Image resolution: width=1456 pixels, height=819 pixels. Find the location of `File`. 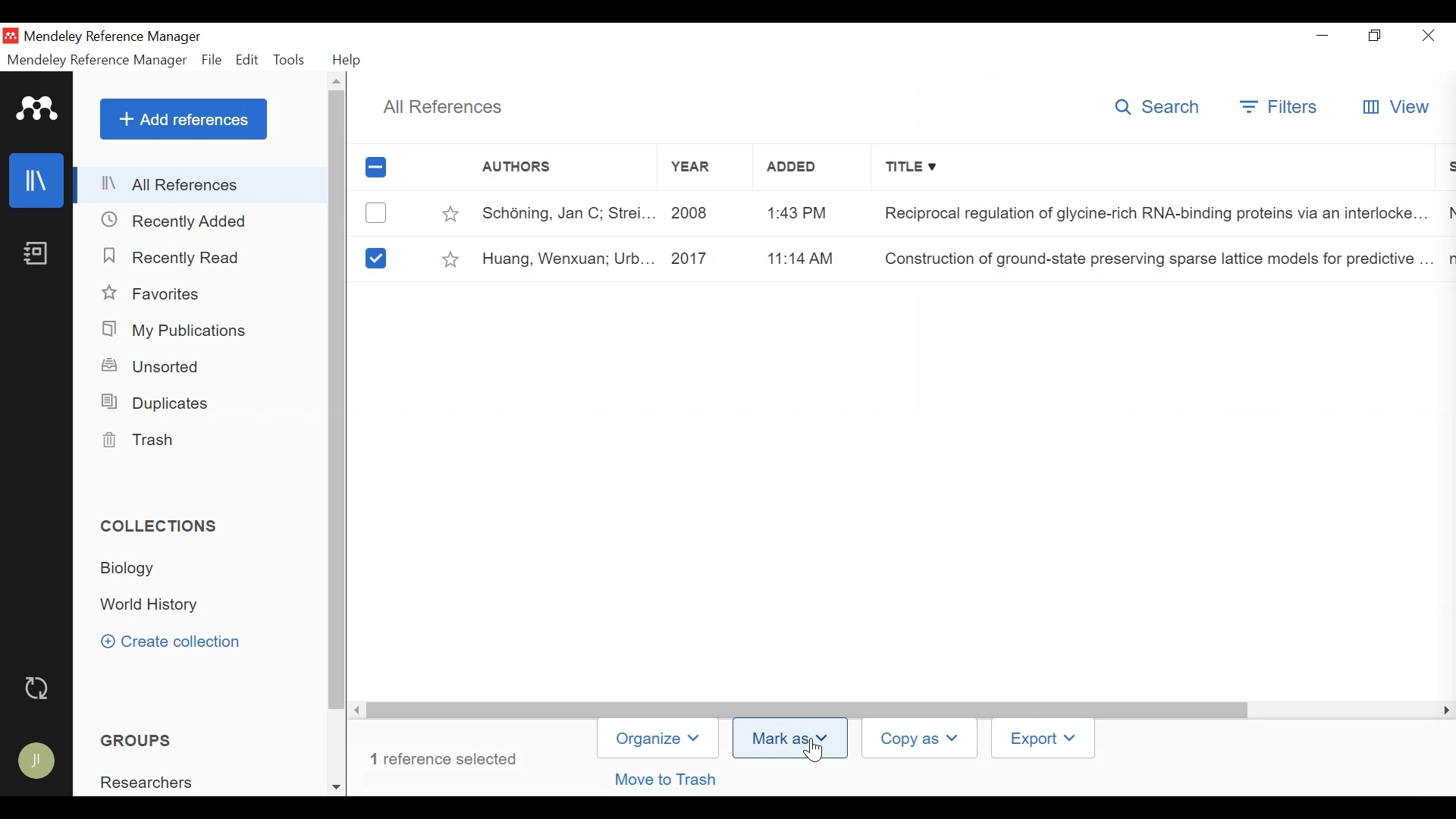

File is located at coordinates (212, 60).